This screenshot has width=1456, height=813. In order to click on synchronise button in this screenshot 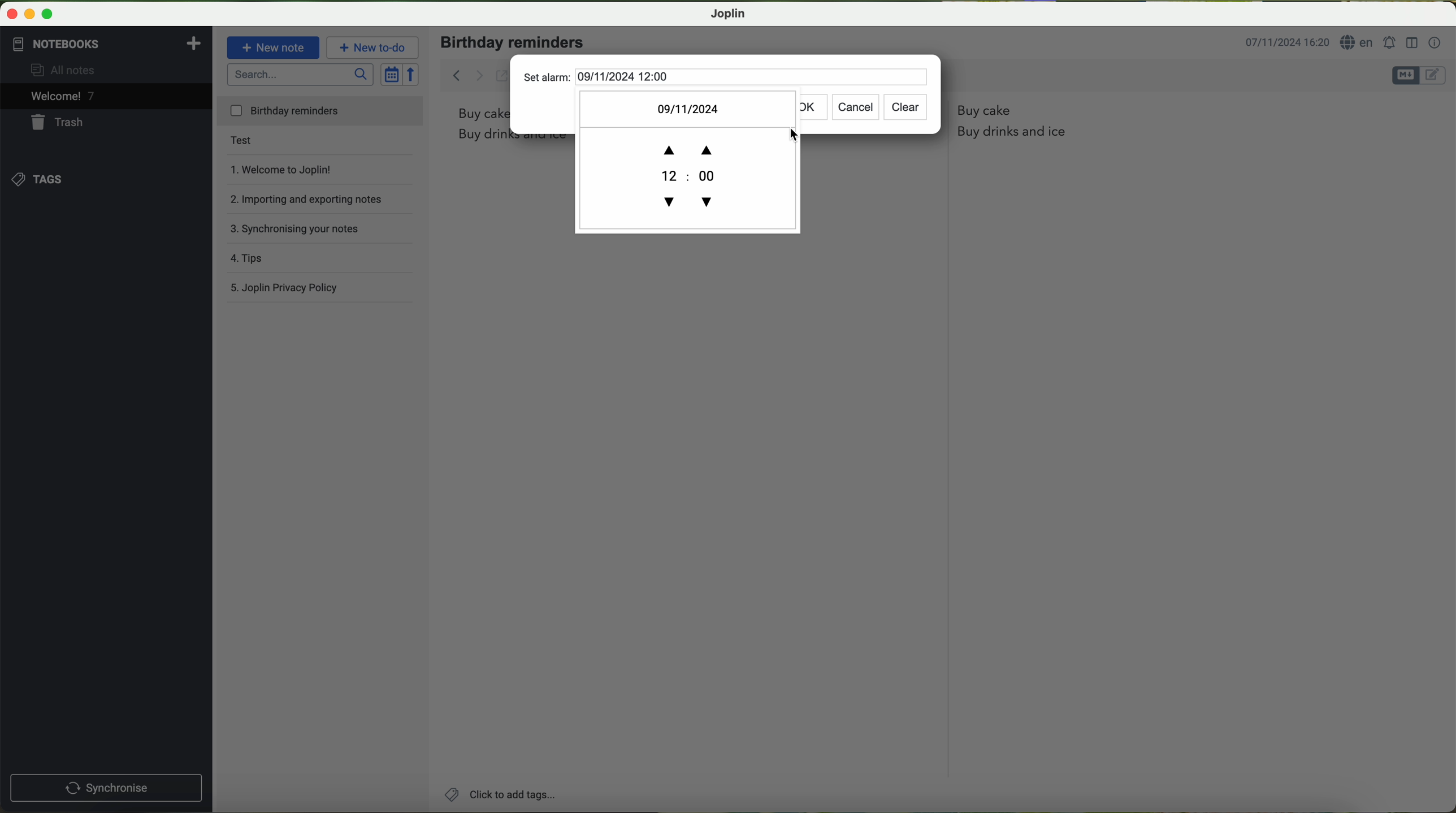, I will do `click(105, 786)`.